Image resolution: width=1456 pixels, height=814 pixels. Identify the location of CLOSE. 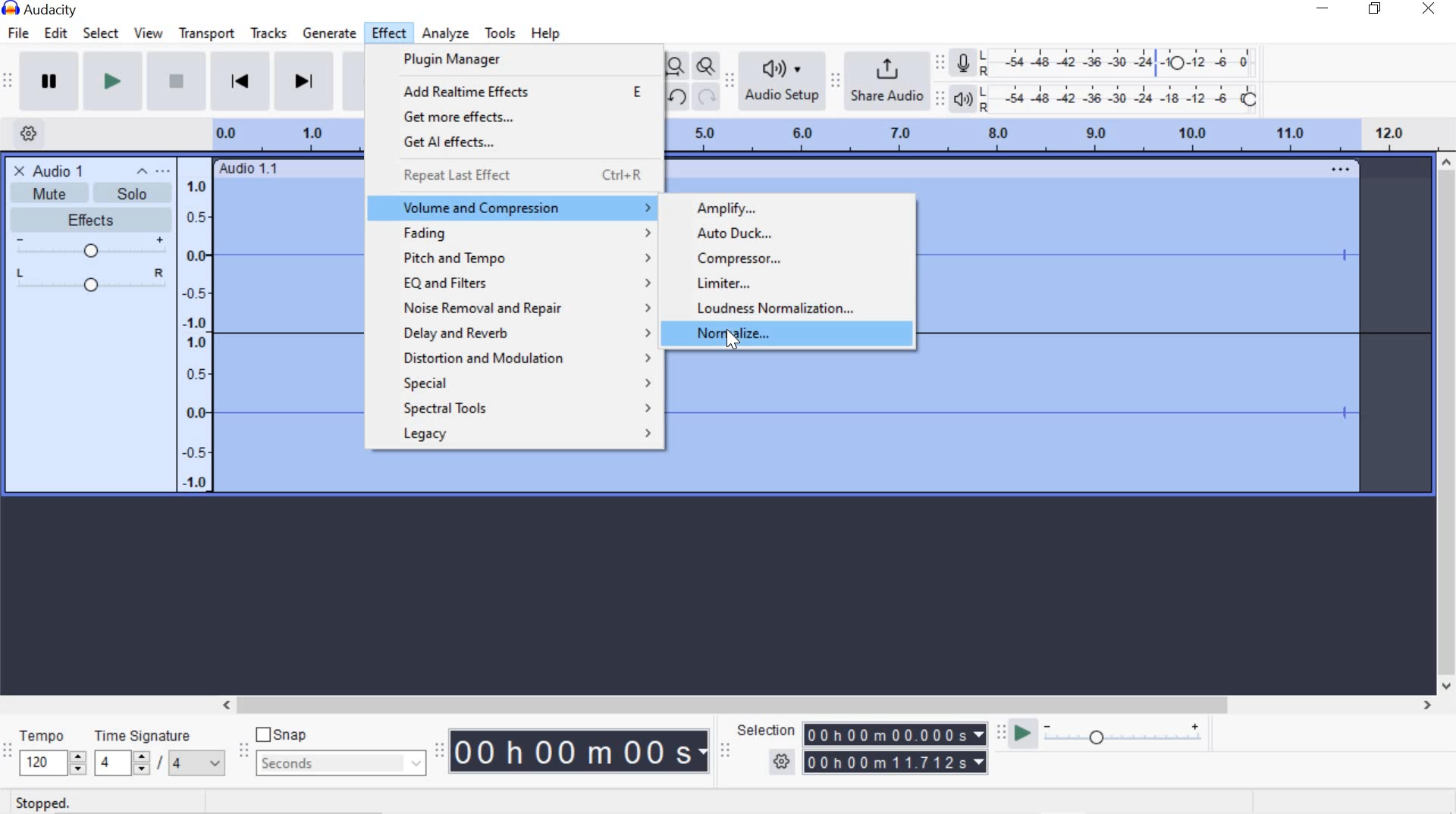
(17, 170).